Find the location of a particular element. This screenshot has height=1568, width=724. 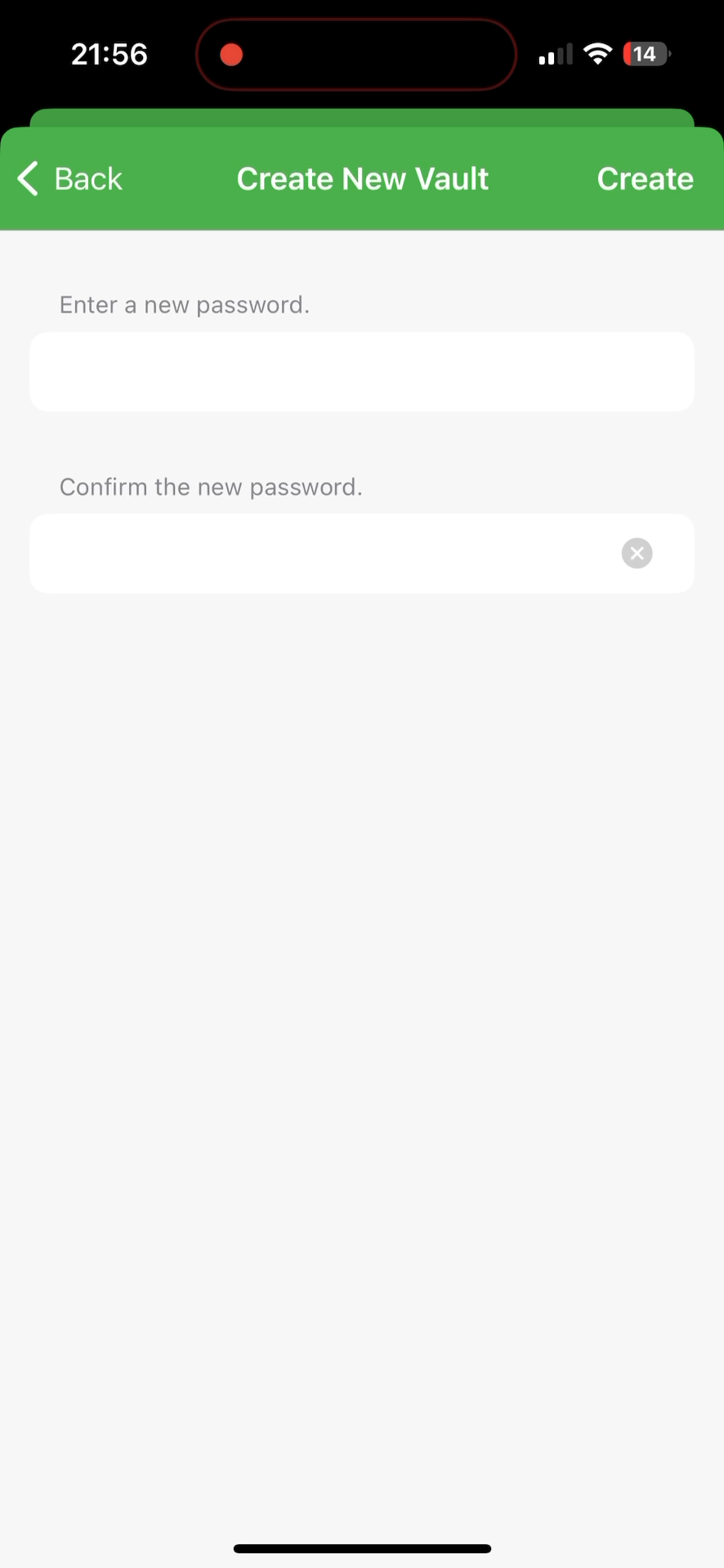

enter a new password is located at coordinates (184, 299).